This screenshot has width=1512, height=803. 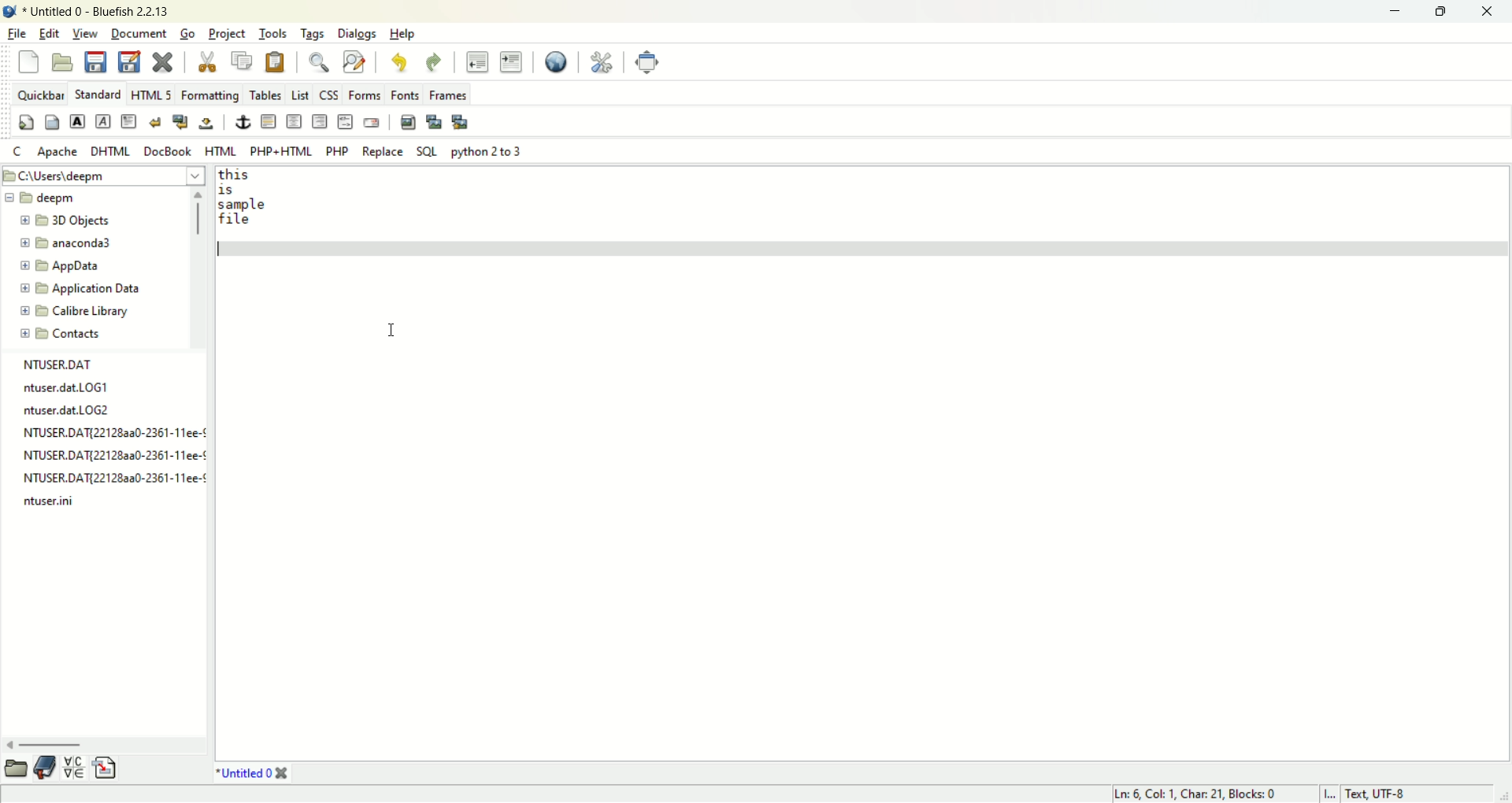 I want to click on charmap, so click(x=74, y=768).